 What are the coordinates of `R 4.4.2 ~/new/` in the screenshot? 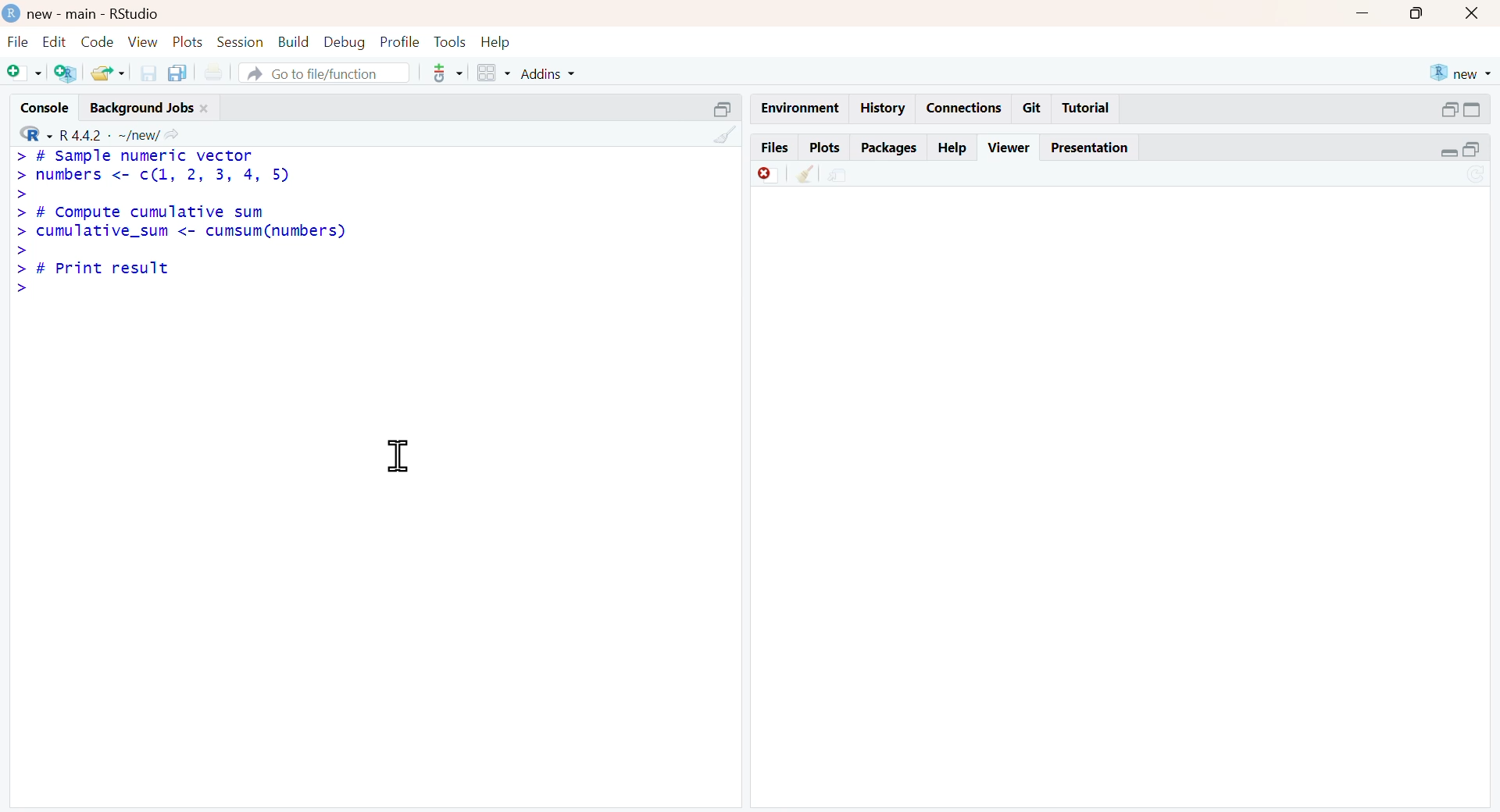 It's located at (109, 135).